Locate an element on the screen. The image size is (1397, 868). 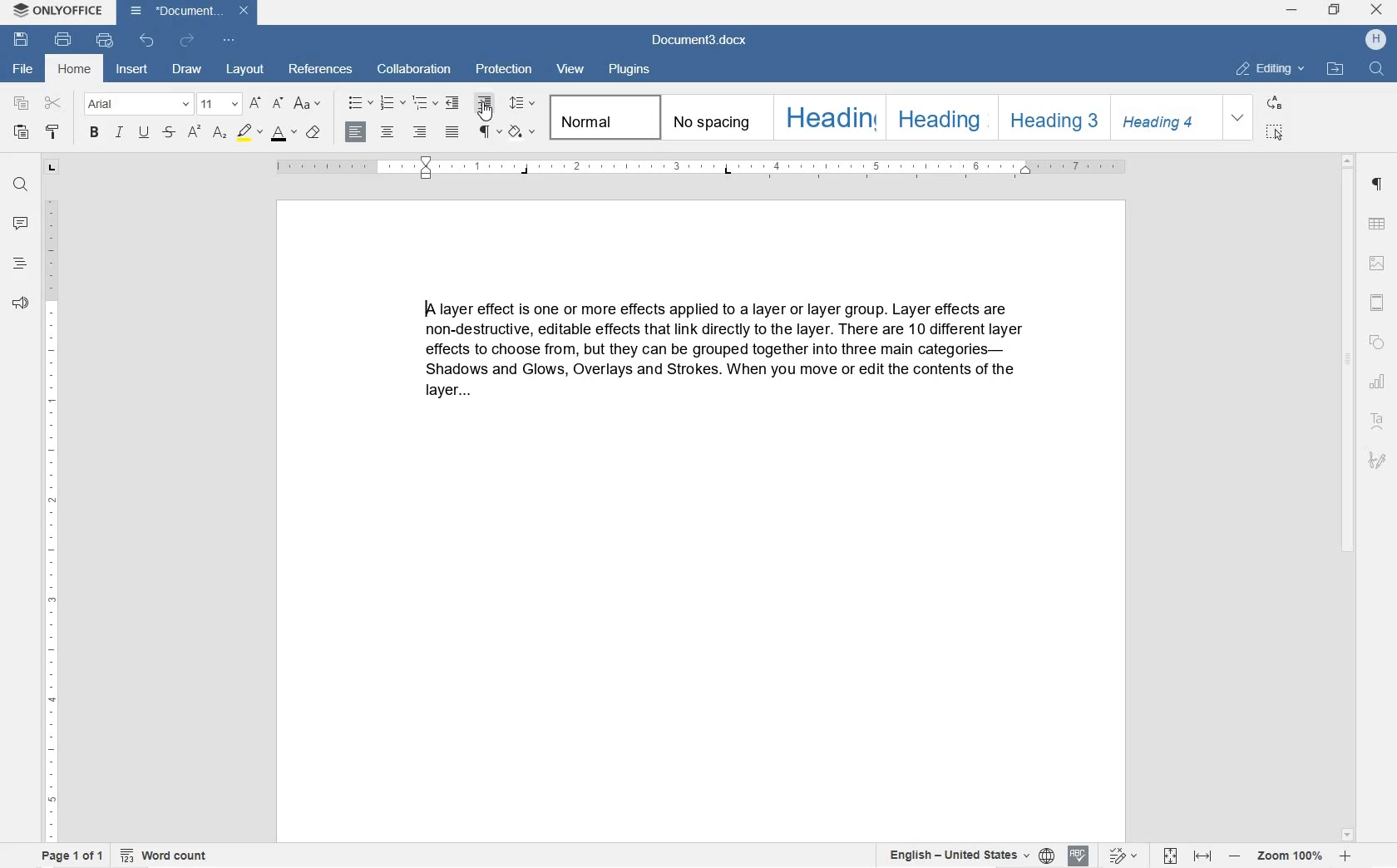
CHART is located at coordinates (1380, 381).